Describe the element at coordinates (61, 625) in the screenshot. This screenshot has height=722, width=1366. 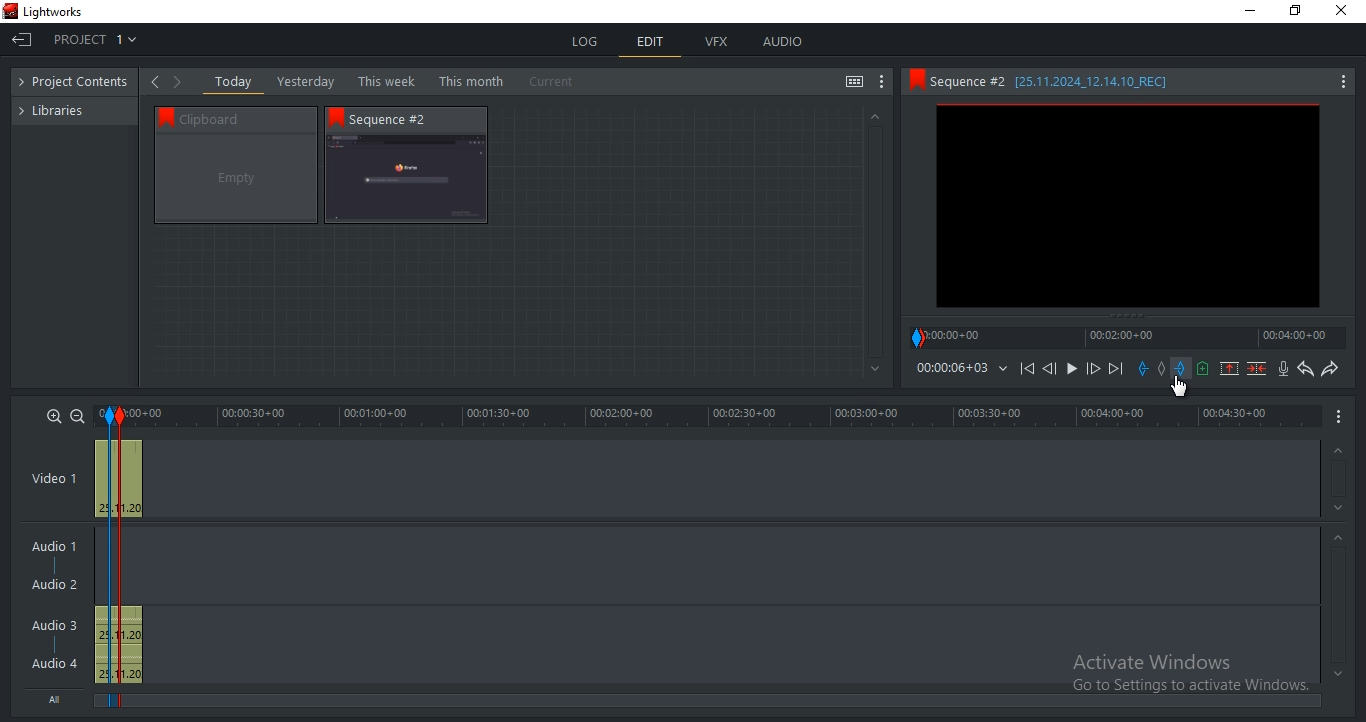
I see `Audio 3` at that location.